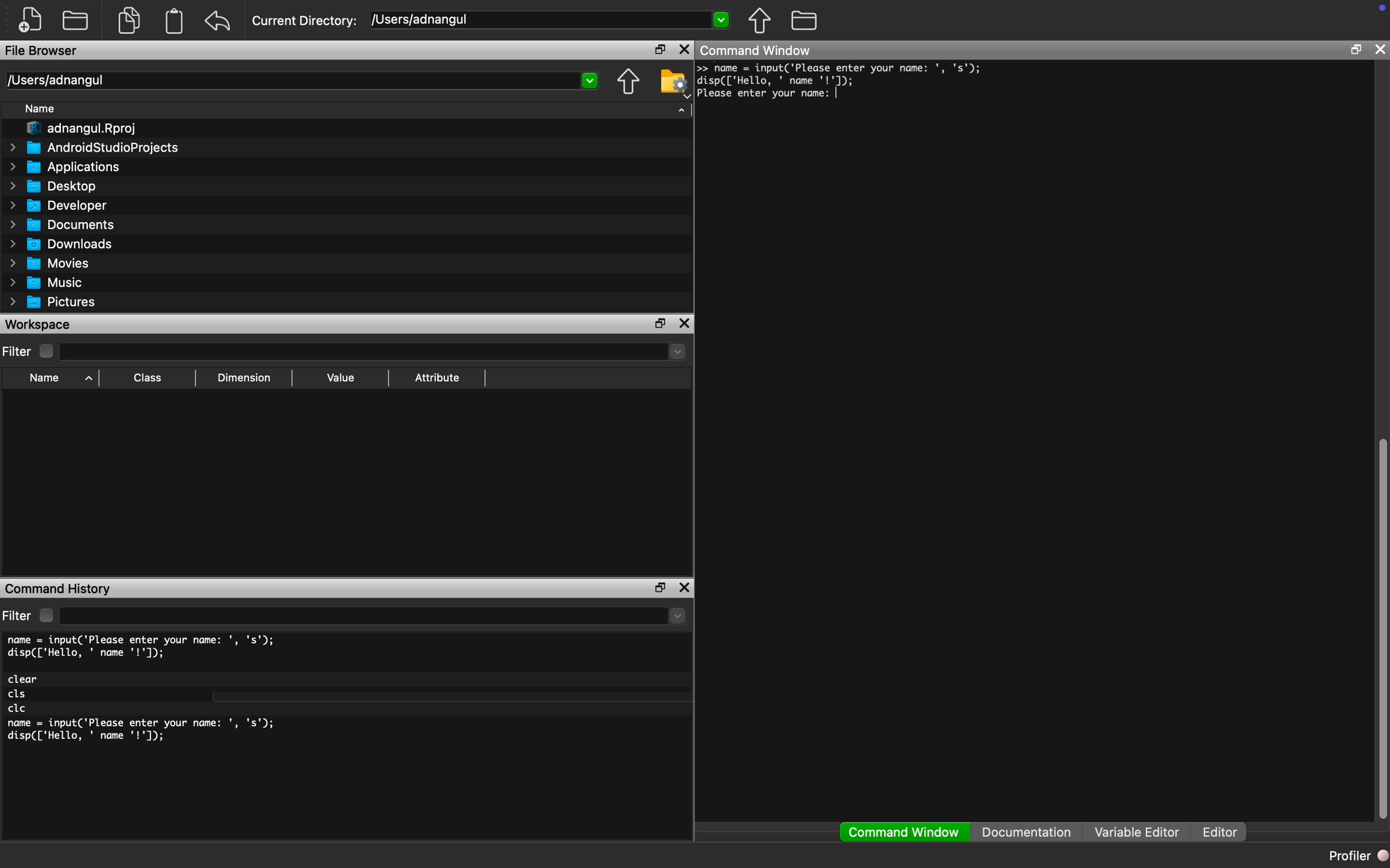 Image resolution: width=1390 pixels, height=868 pixels. I want to click on Users/adnangul, so click(55, 80).